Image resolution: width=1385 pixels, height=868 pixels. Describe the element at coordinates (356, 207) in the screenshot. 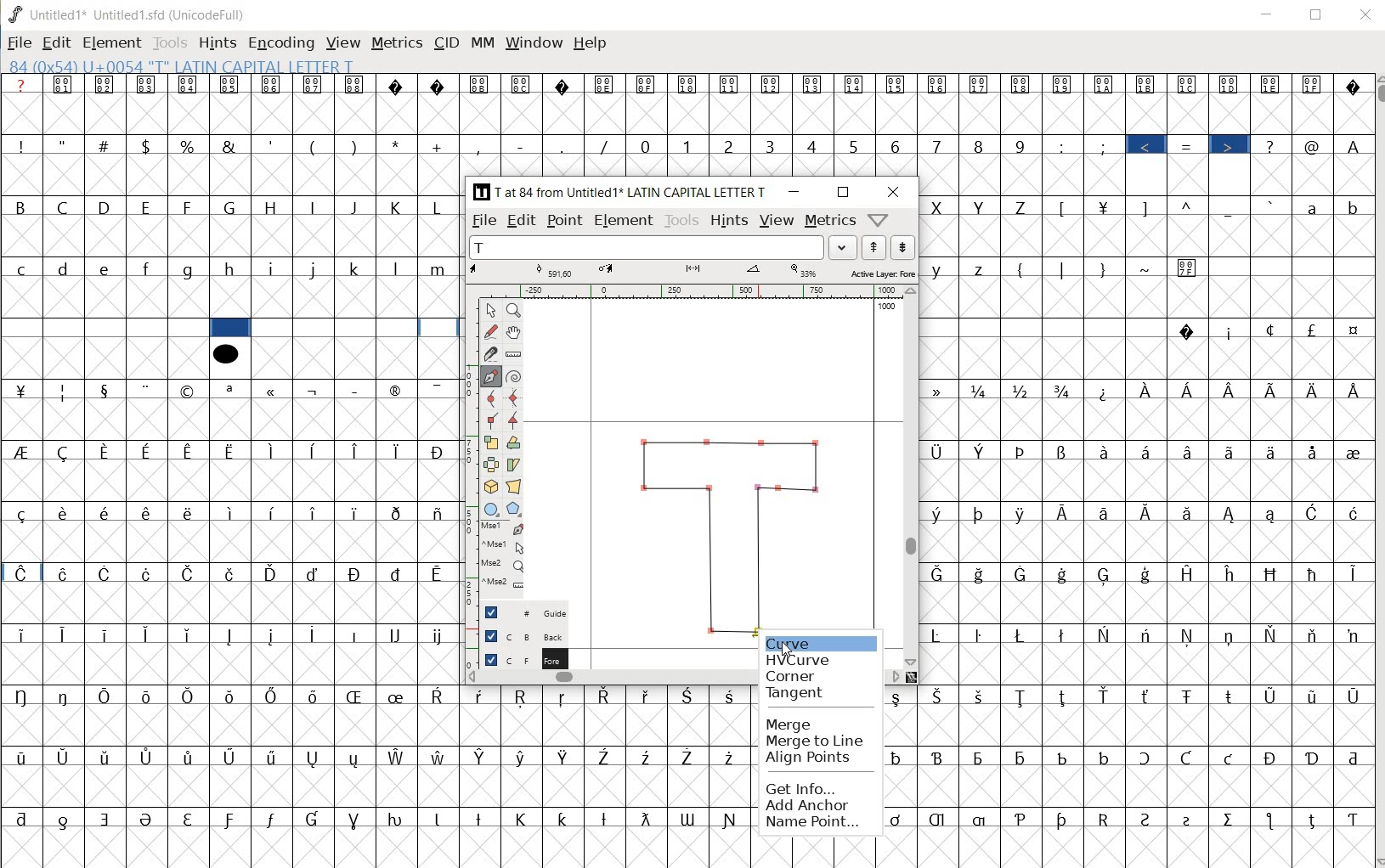

I see `J` at that location.